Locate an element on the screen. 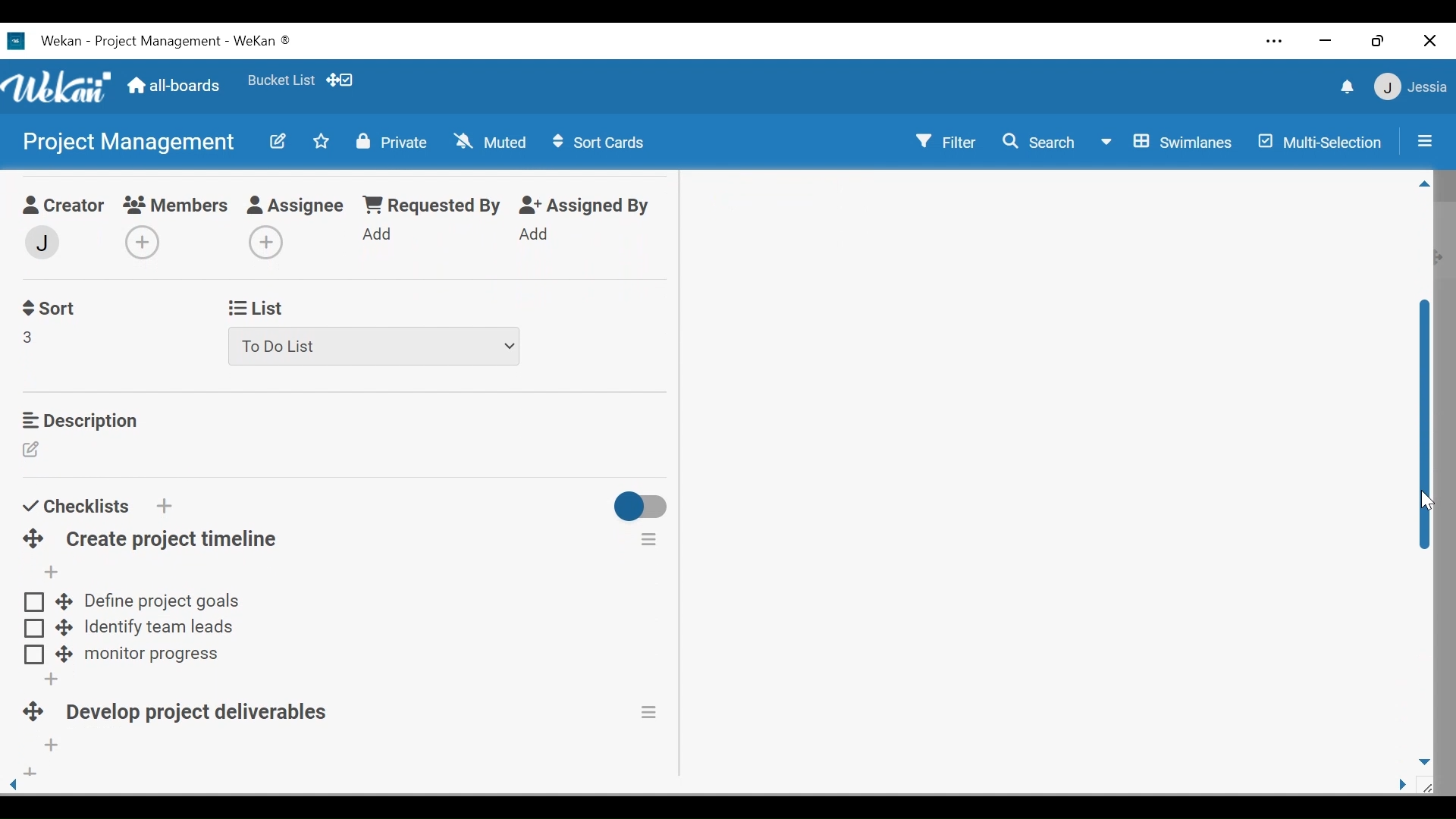  checklist actions is located at coordinates (651, 712).